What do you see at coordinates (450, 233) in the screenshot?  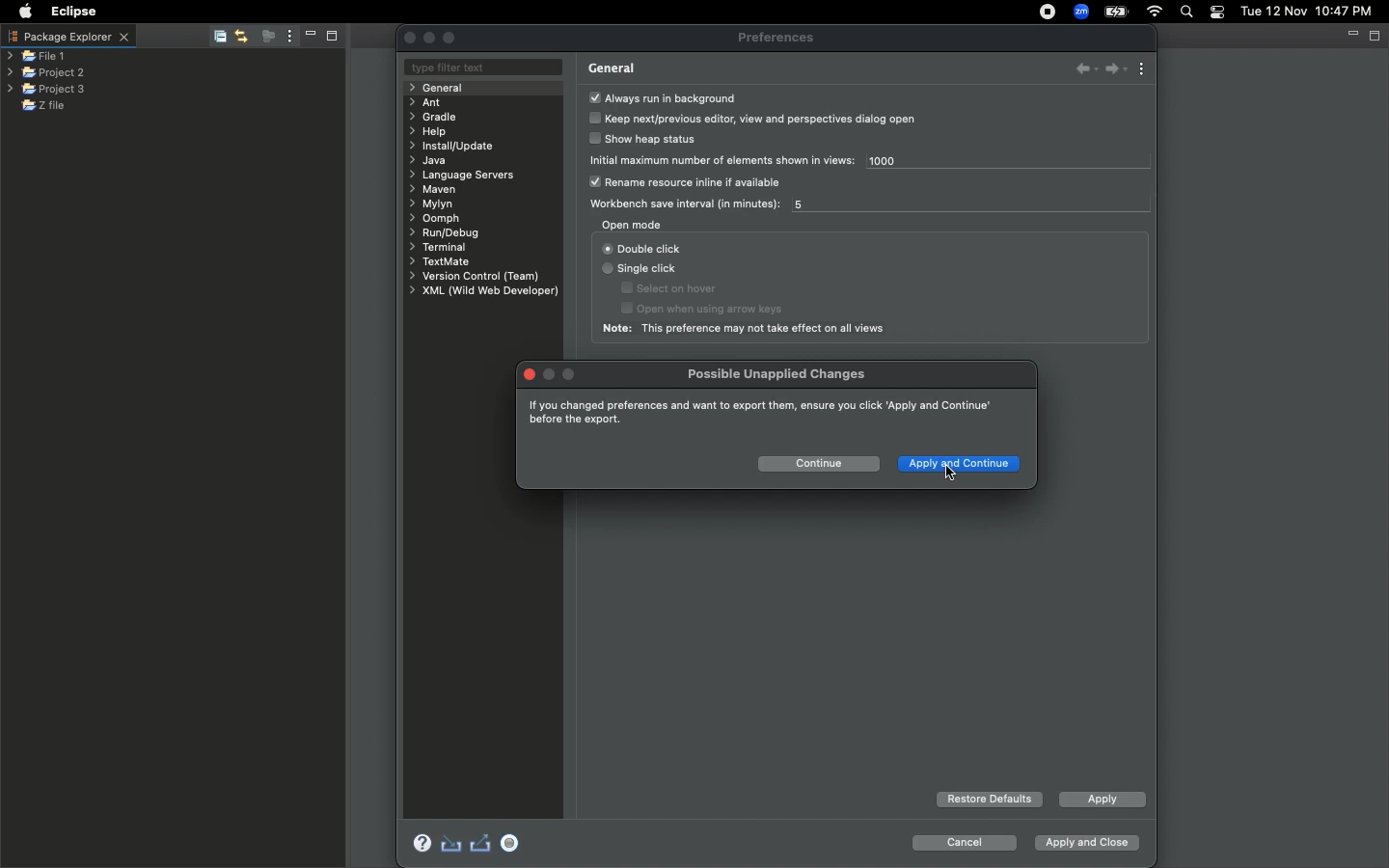 I see `Rurydebug` at bounding box center [450, 233].